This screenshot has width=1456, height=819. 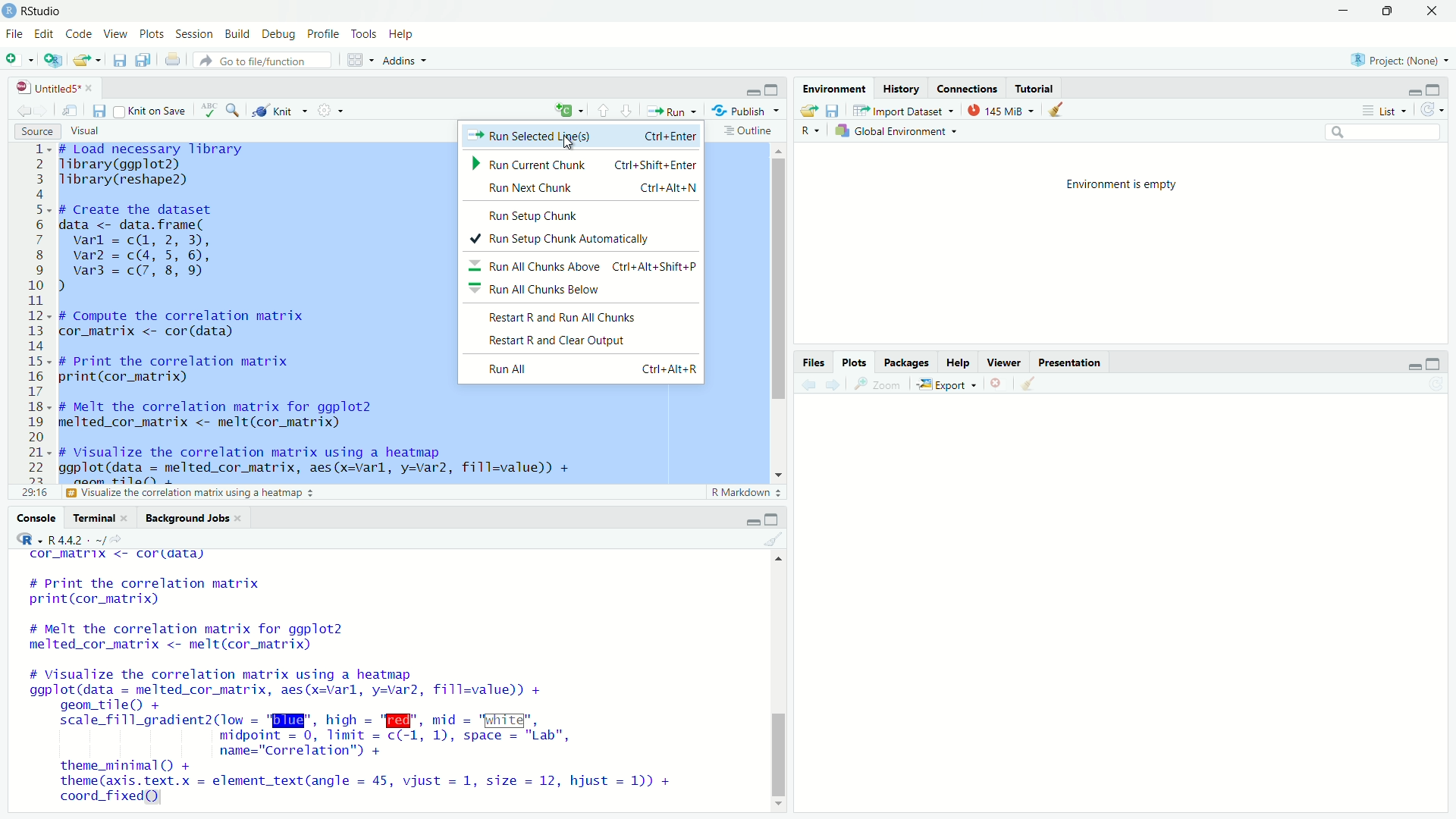 What do you see at coordinates (1343, 11) in the screenshot?
I see `minimize` at bounding box center [1343, 11].